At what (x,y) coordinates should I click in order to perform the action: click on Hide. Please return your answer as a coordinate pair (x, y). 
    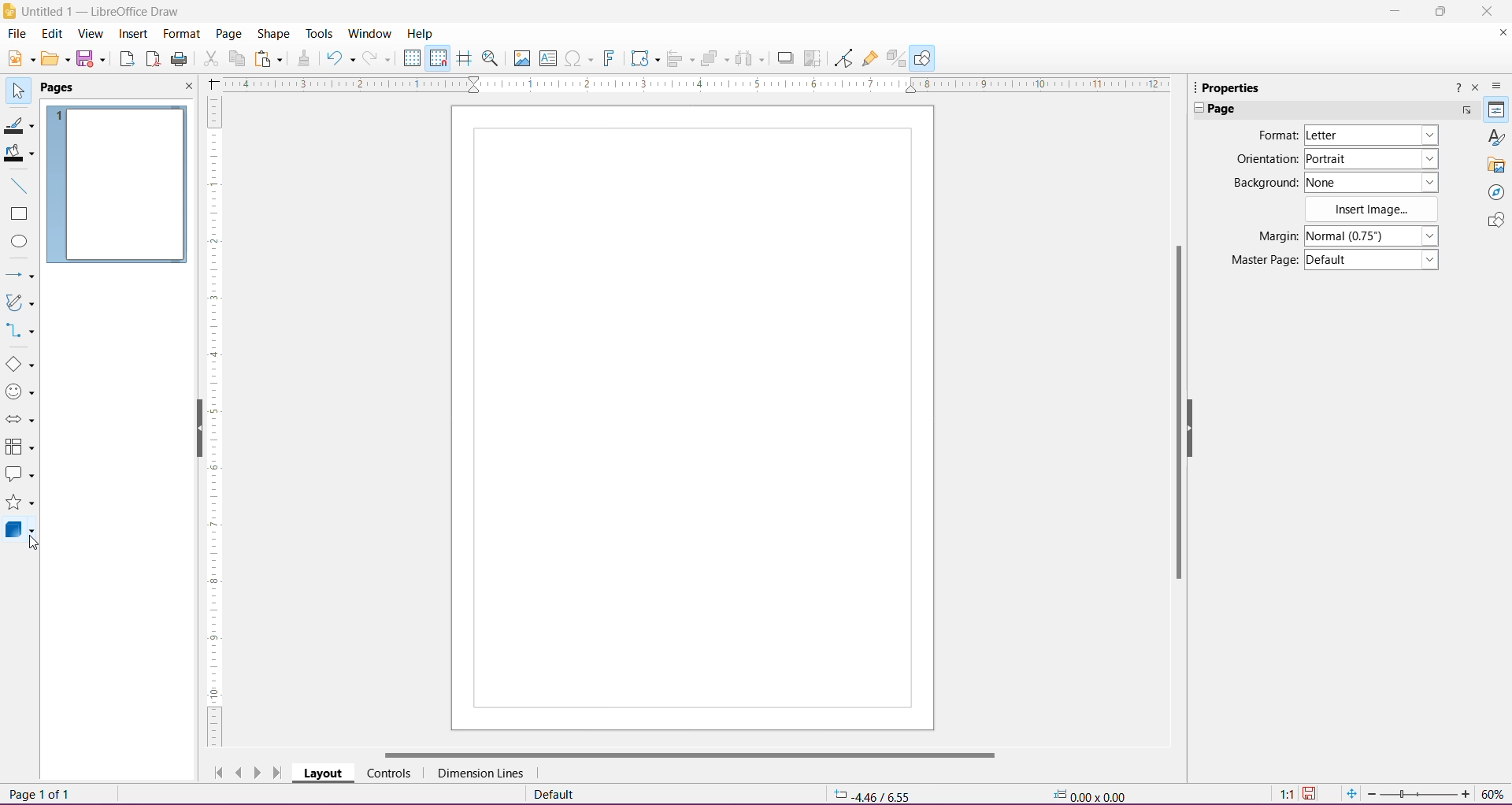
    Looking at the image, I should click on (1193, 425).